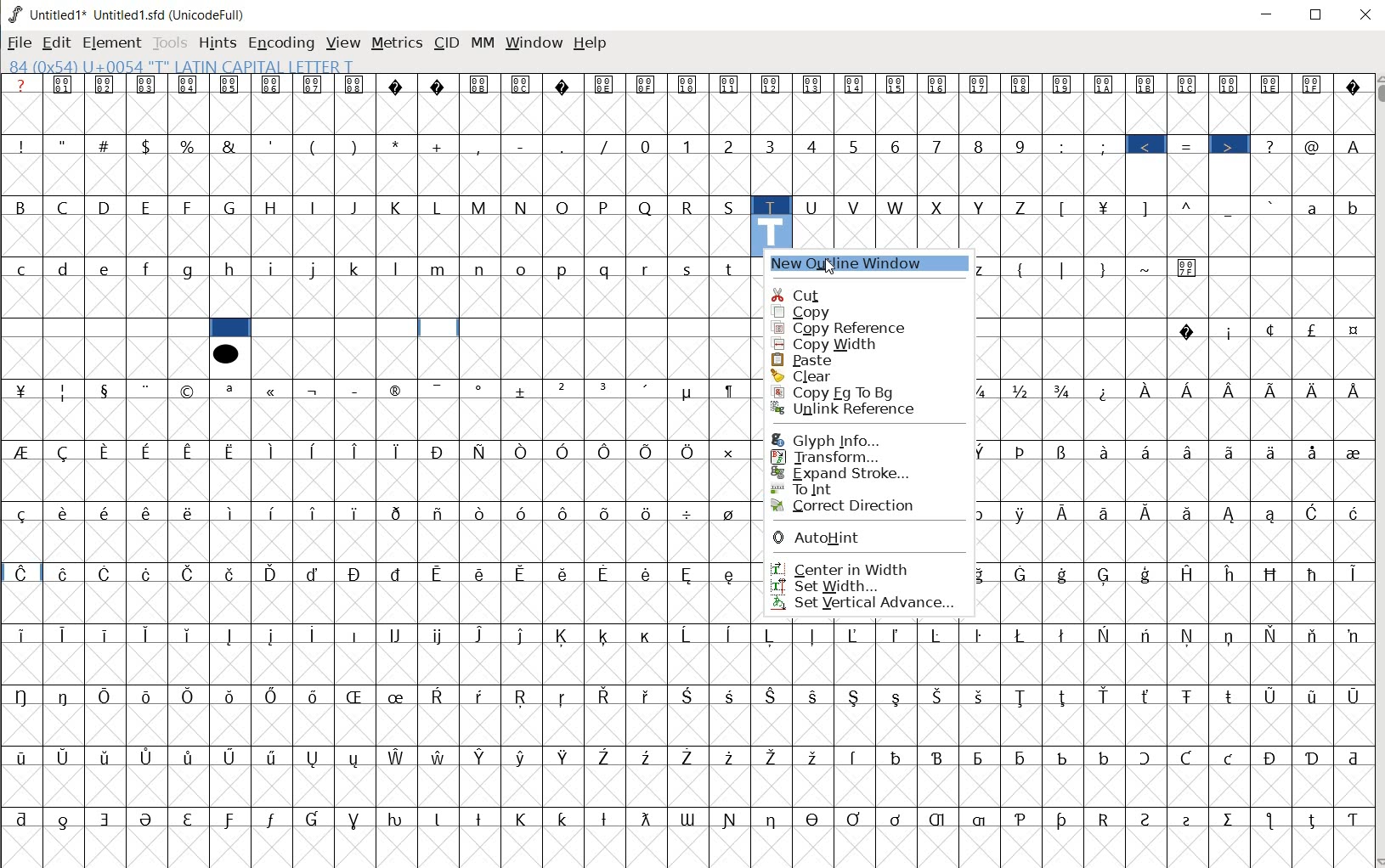 Image resolution: width=1385 pixels, height=868 pixels. Describe the element at coordinates (1021, 817) in the screenshot. I see `Symbol` at that location.